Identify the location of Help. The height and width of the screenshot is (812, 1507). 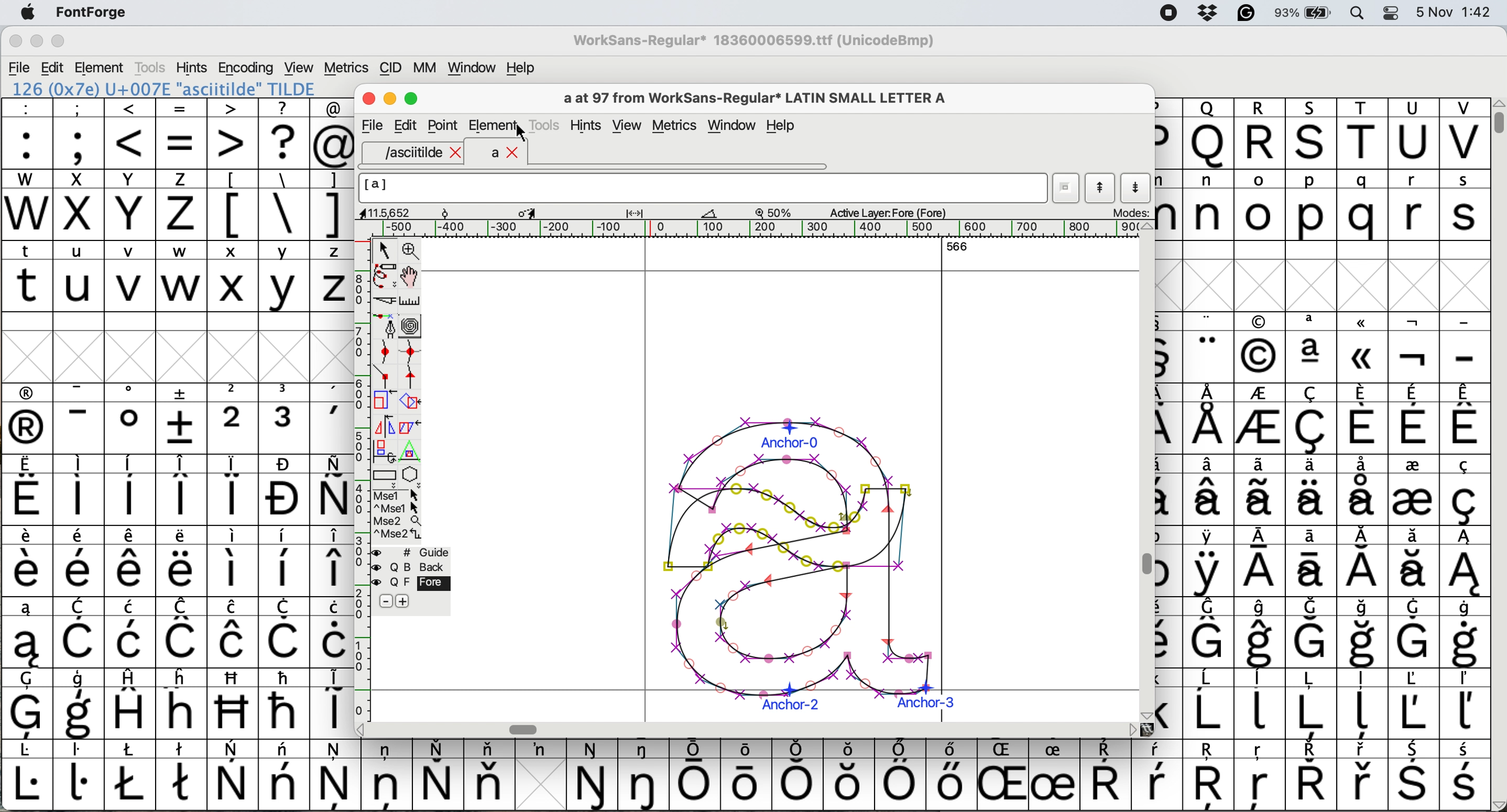
(780, 127).